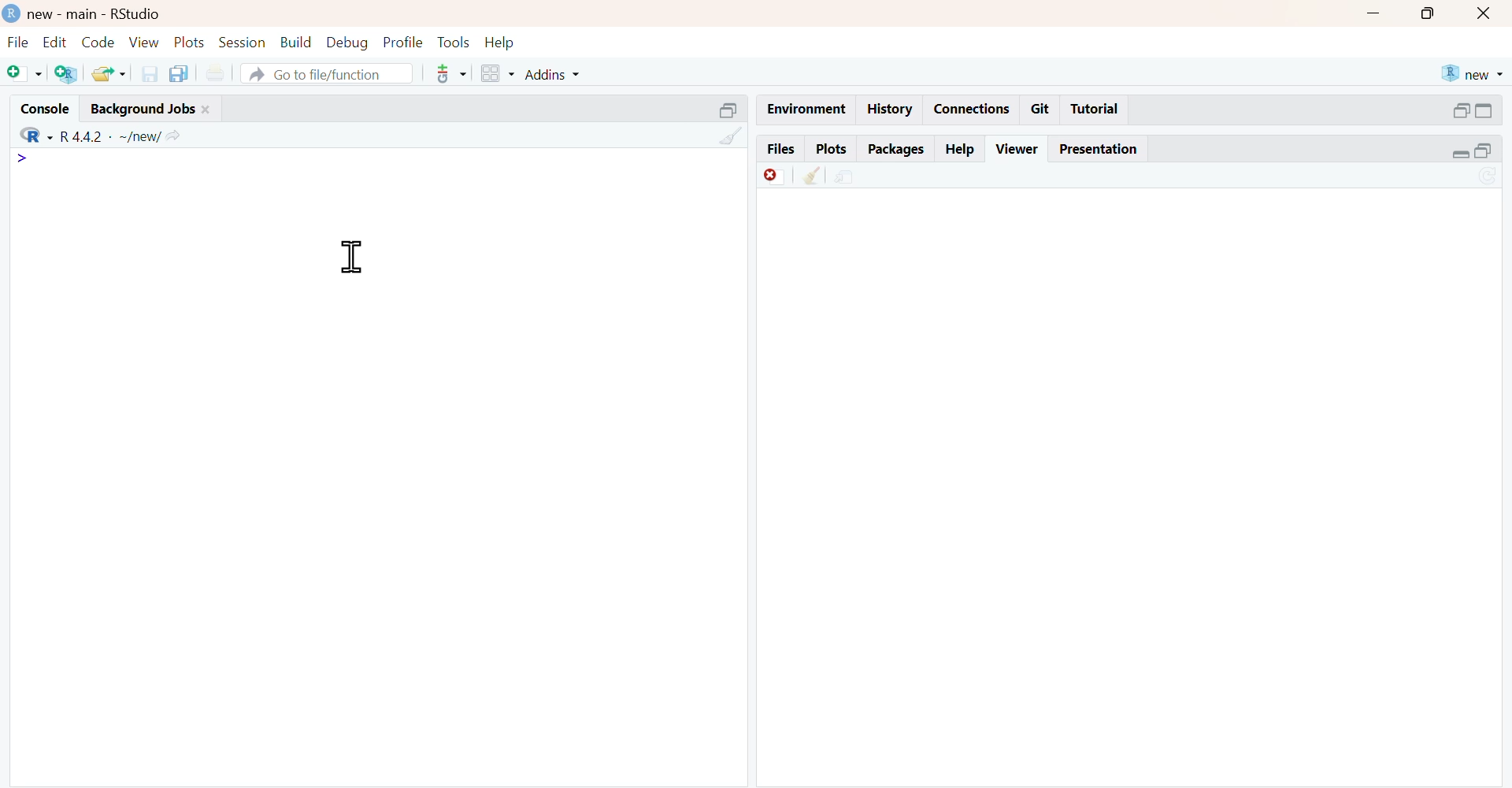 This screenshot has width=1512, height=788. What do you see at coordinates (109, 73) in the screenshot?
I see `share folder as` at bounding box center [109, 73].